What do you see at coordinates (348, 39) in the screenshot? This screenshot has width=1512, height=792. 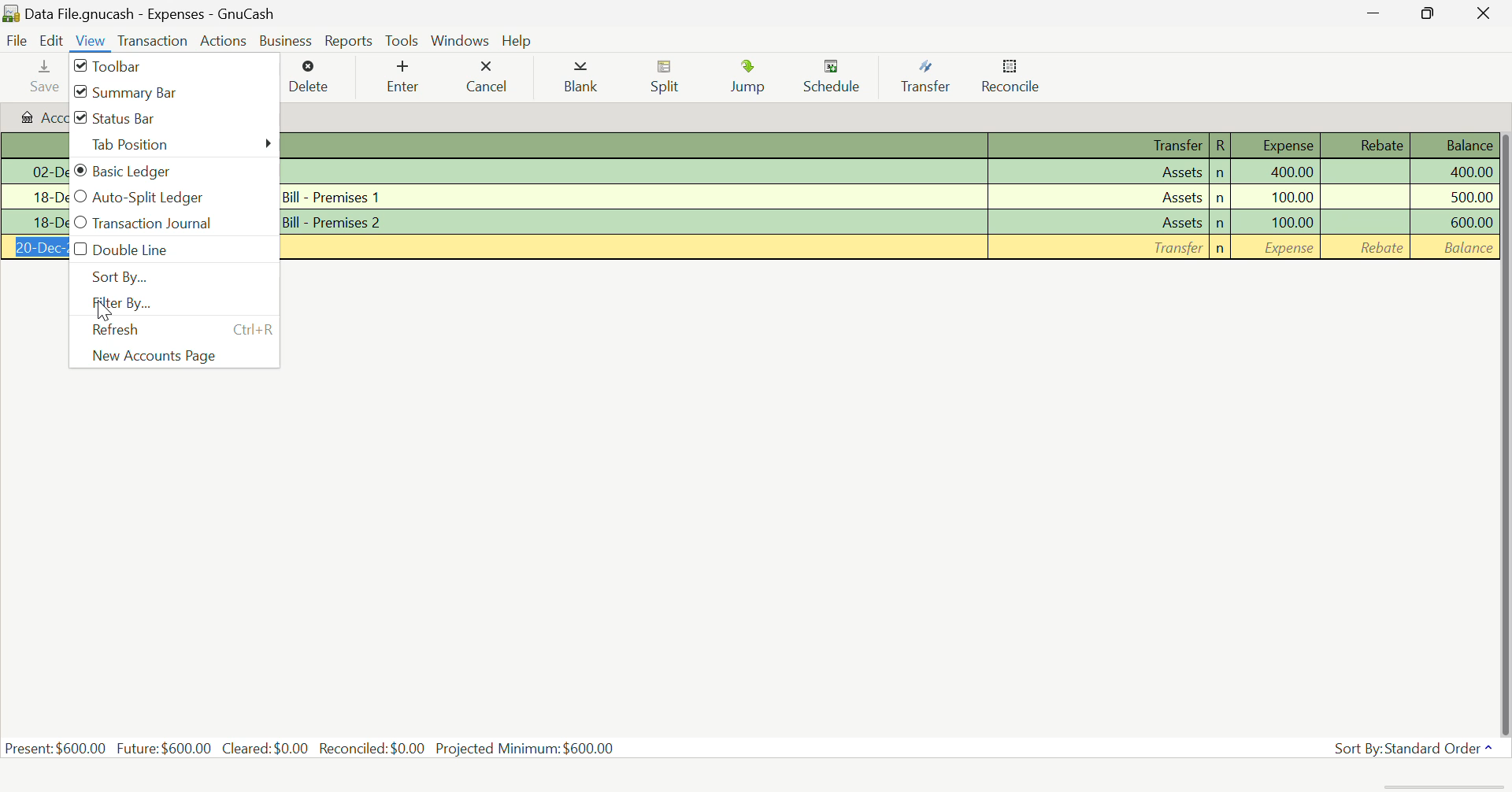 I see `Reports` at bounding box center [348, 39].